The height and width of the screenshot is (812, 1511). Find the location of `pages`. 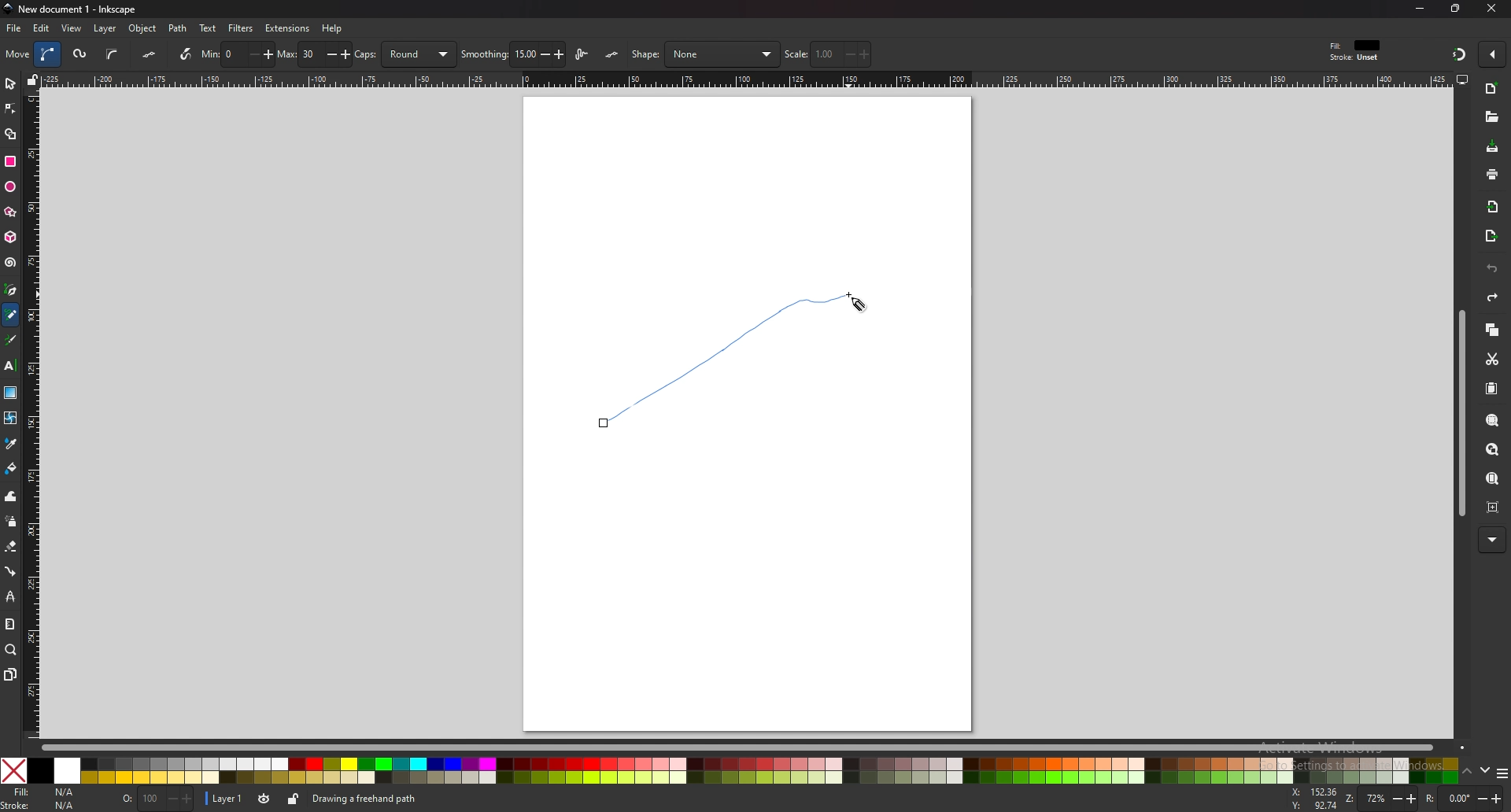

pages is located at coordinates (9, 674).